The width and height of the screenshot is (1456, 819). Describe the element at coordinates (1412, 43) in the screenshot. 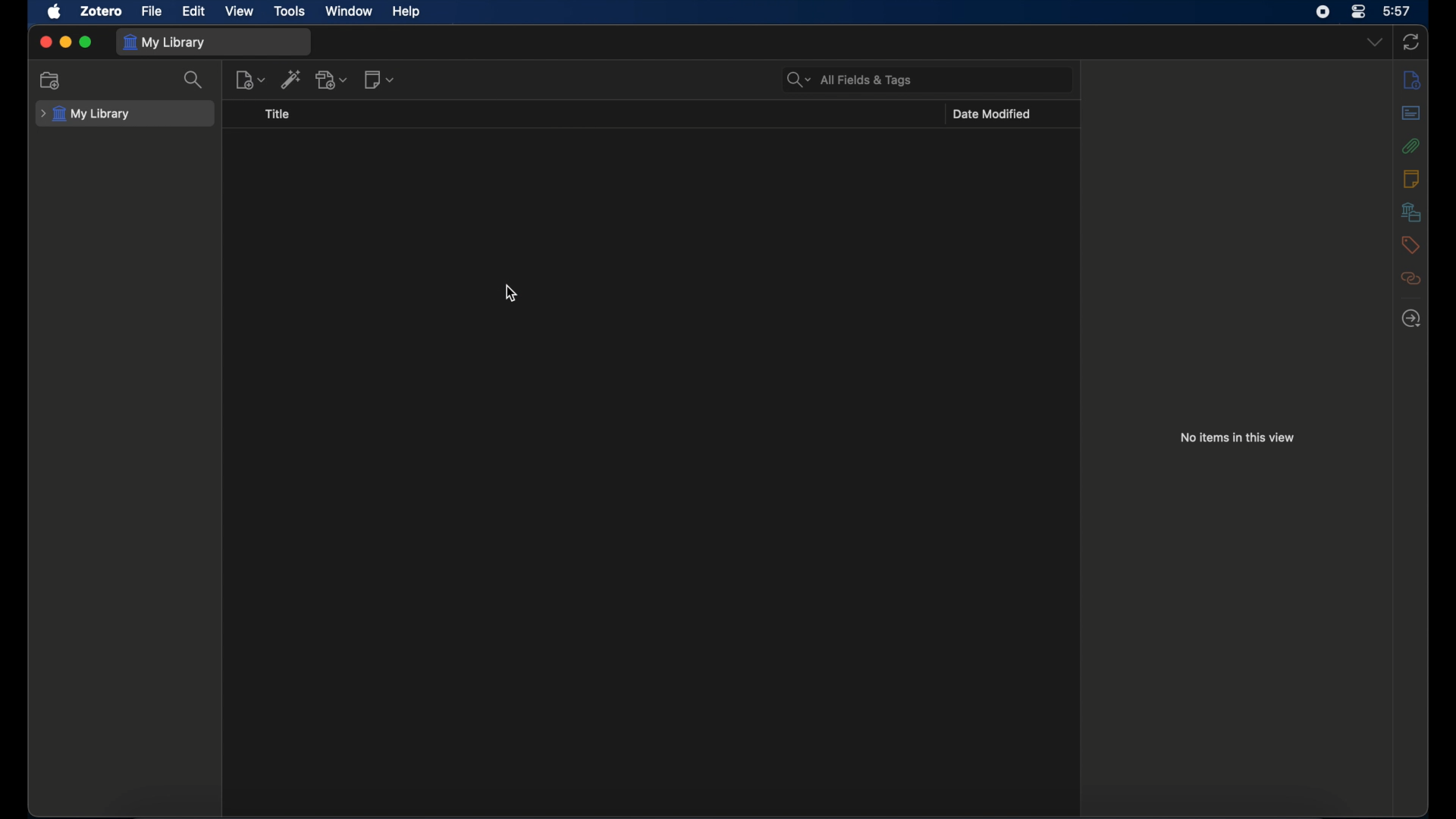

I see `sync` at that location.